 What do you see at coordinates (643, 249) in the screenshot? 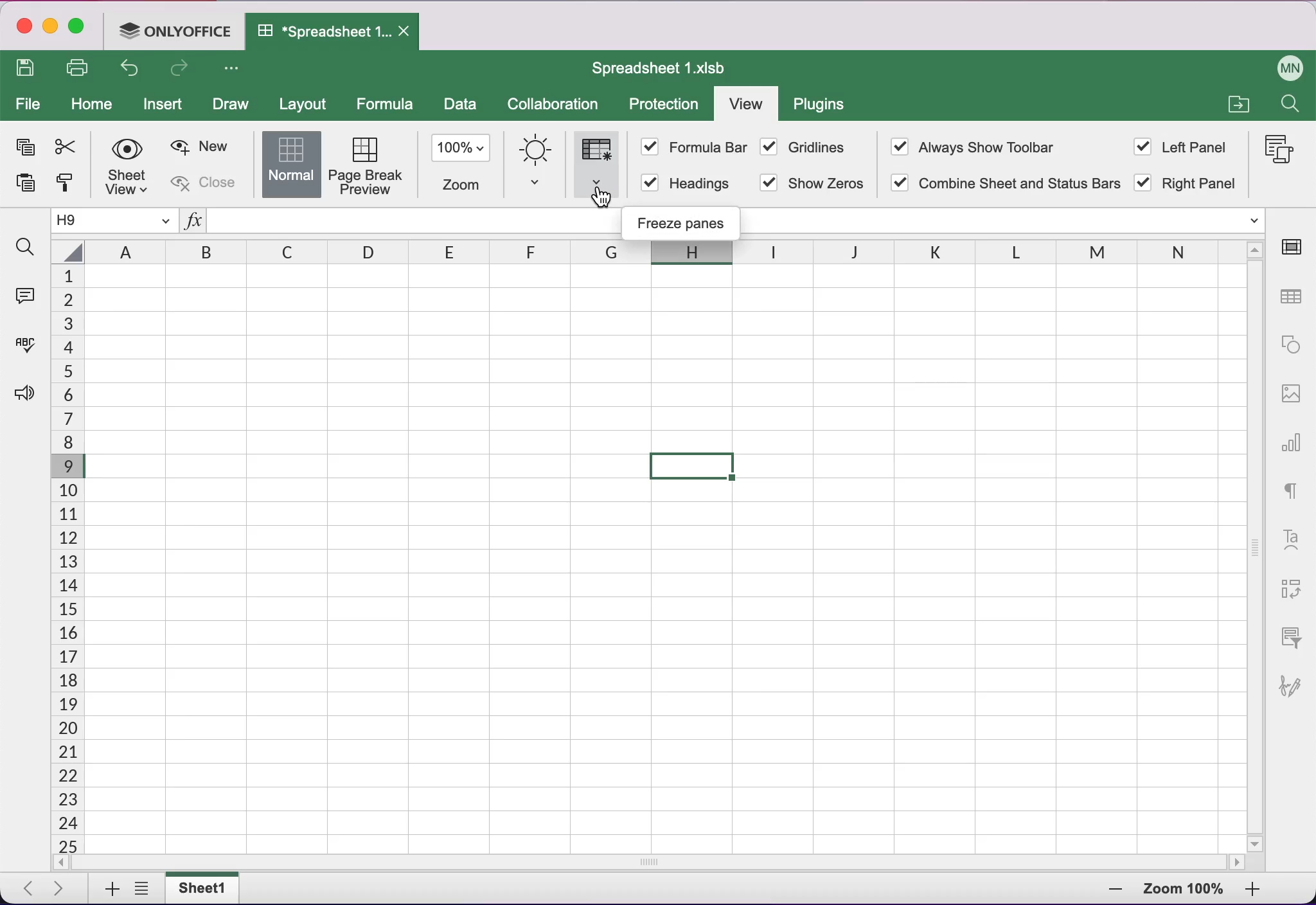
I see `columns` at bounding box center [643, 249].